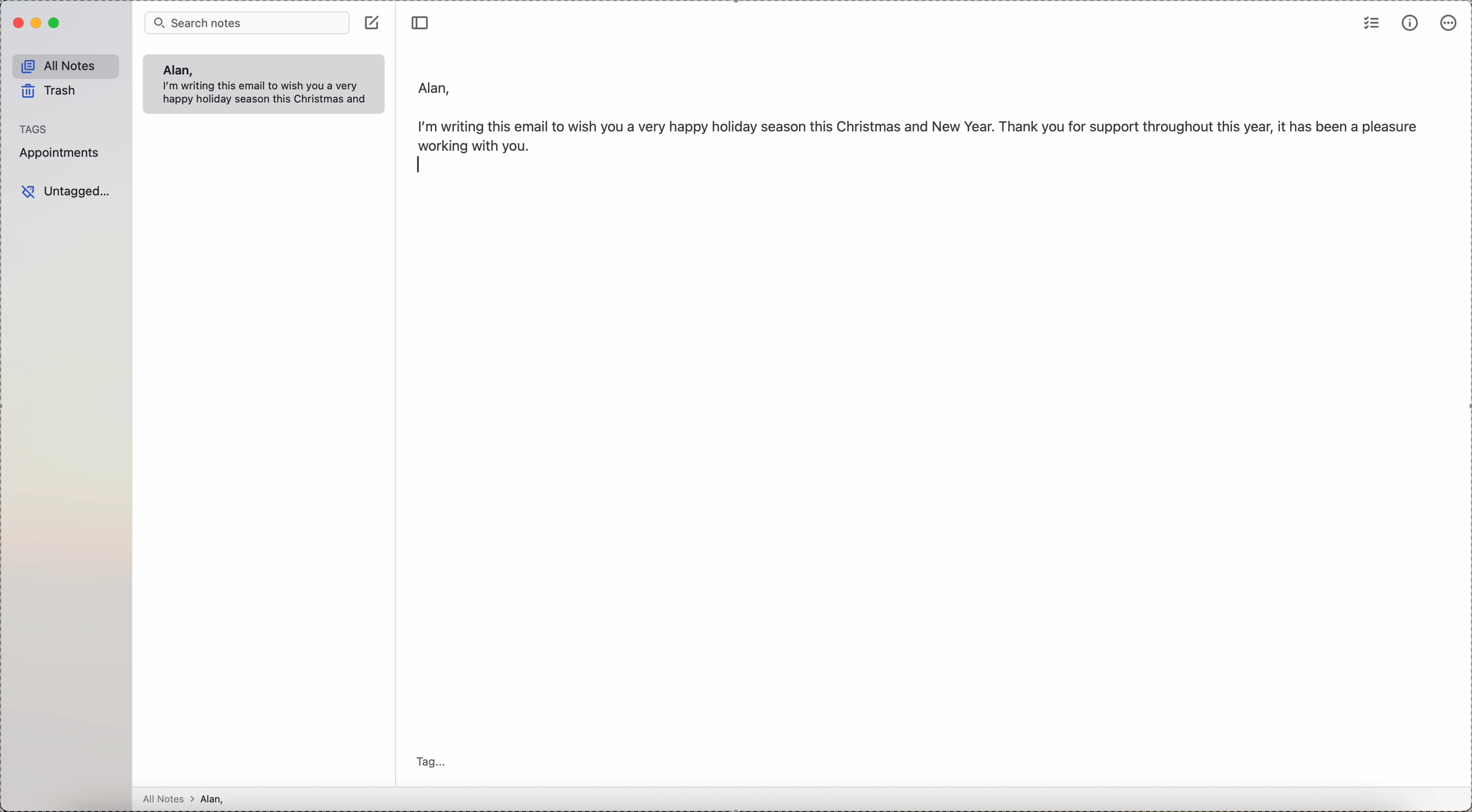 This screenshot has width=1472, height=812. What do you see at coordinates (51, 93) in the screenshot?
I see `trash` at bounding box center [51, 93].